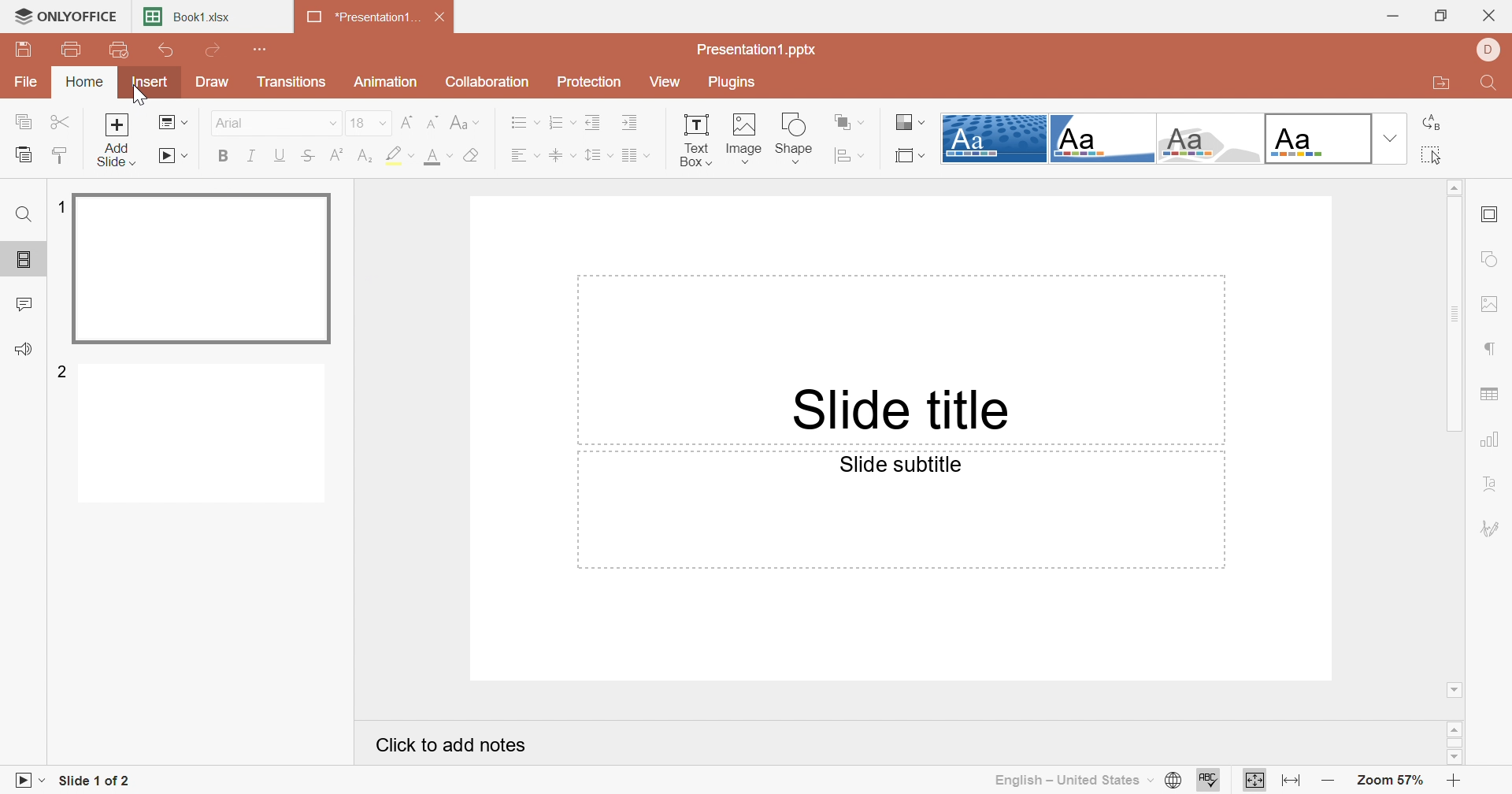 This screenshot has height=794, width=1512. I want to click on Decrement font size, so click(433, 124).